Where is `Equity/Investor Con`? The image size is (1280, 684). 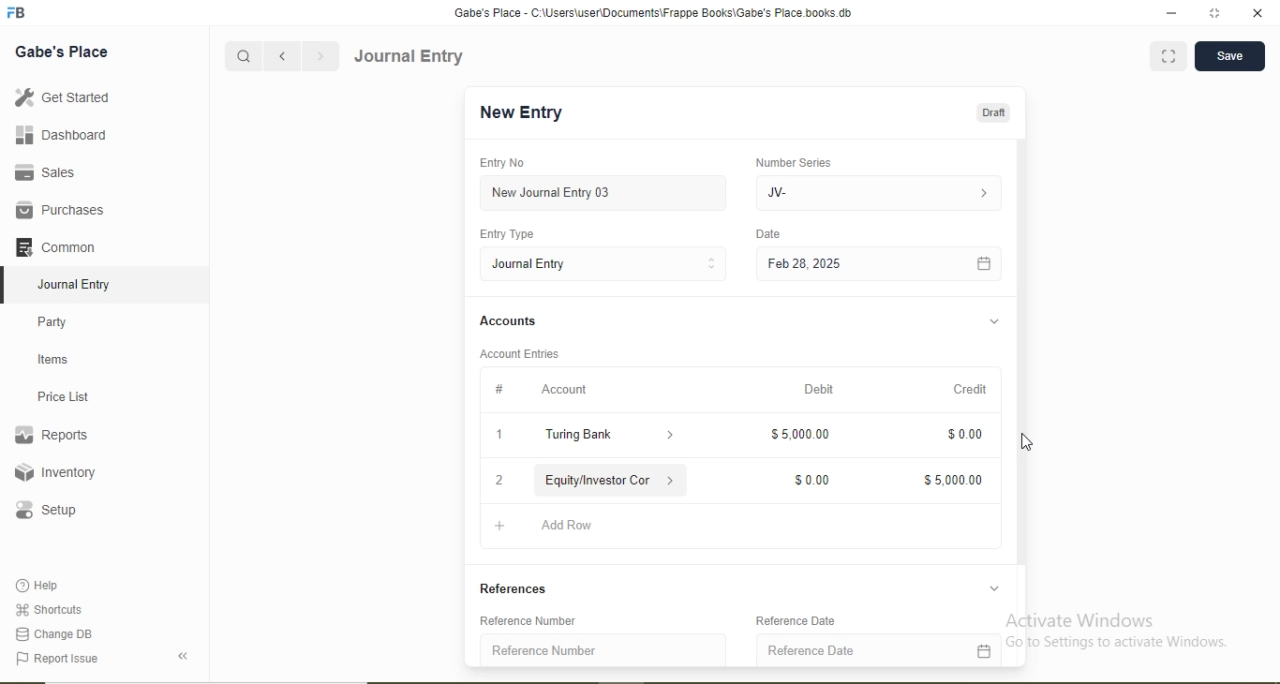 Equity/Investor Con is located at coordinates (600, 480).